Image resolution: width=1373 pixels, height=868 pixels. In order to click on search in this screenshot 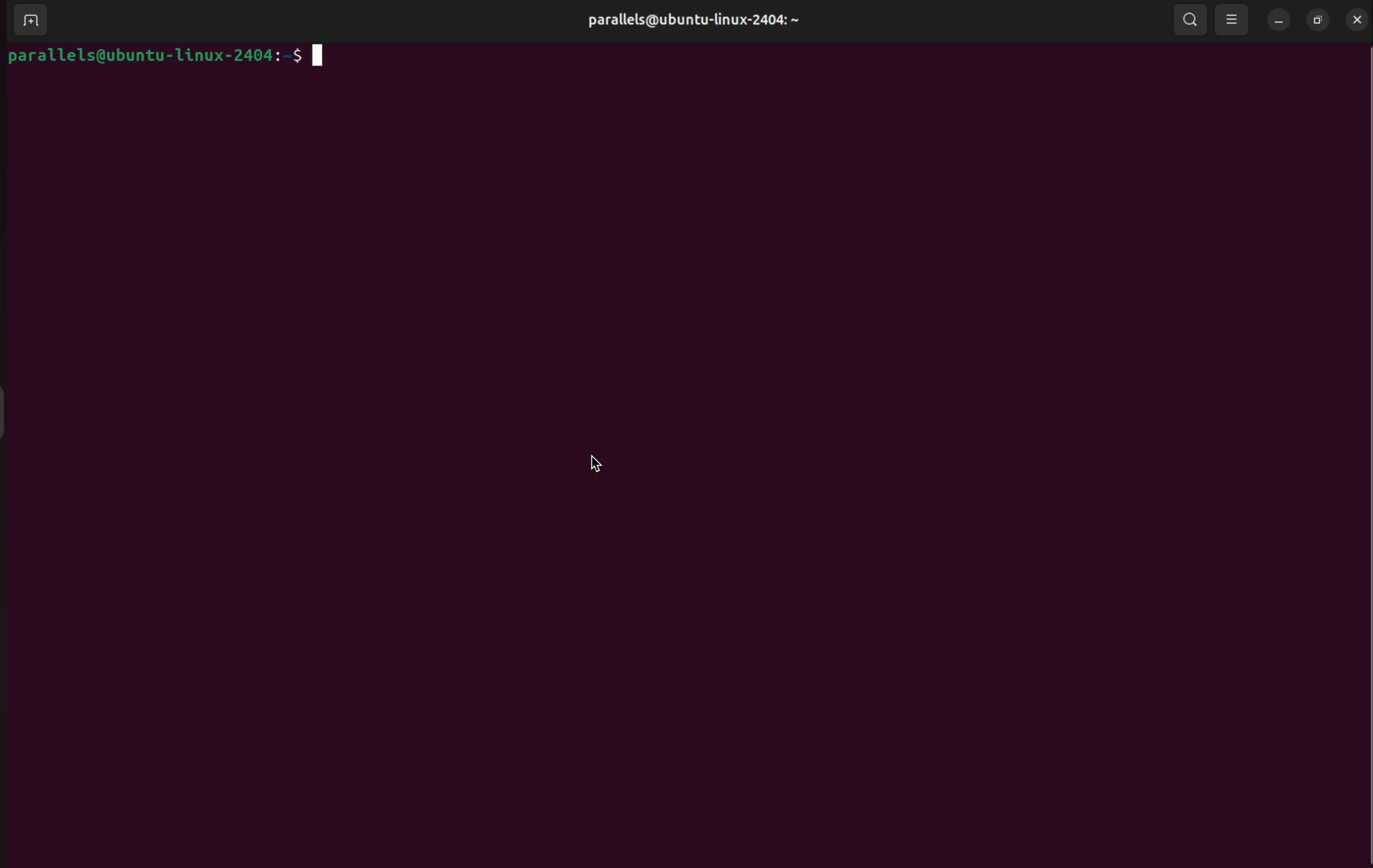, I will do `click(1191, 22)`.